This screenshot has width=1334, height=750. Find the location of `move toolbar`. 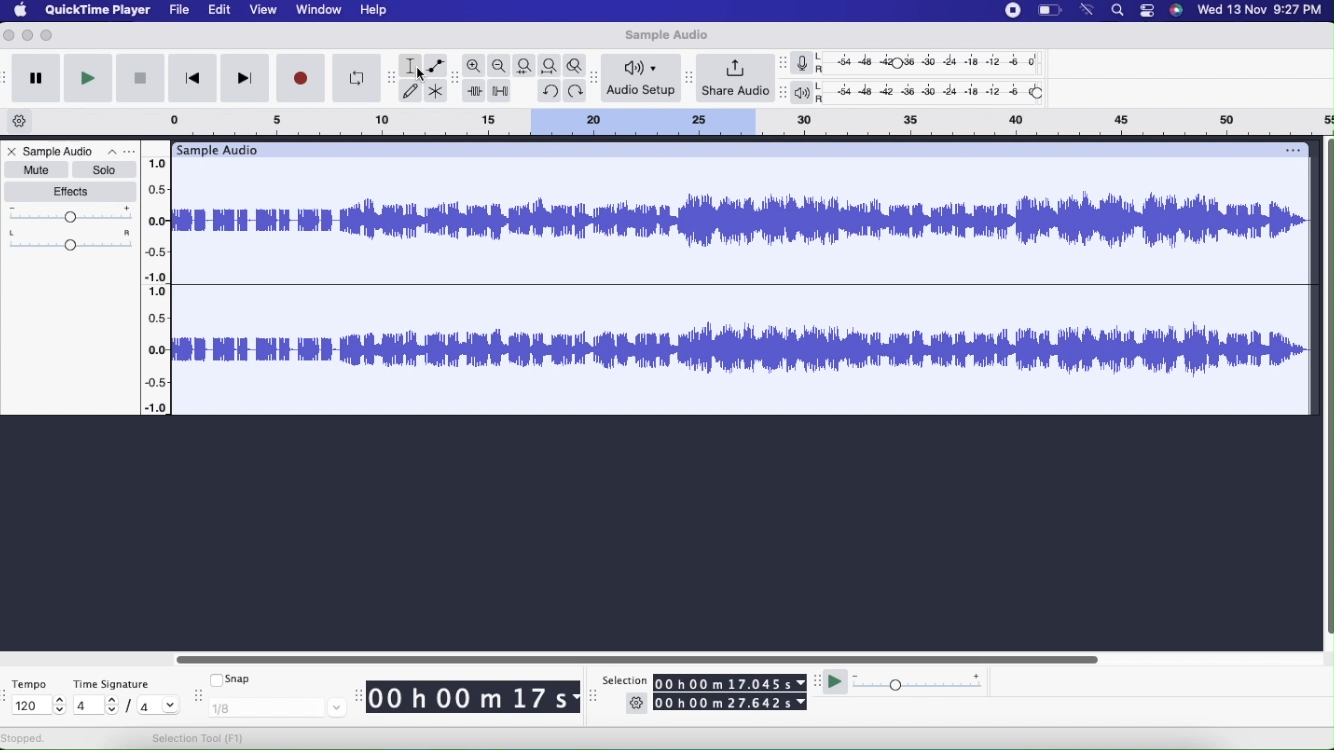

move toolbar is located at coordinates (594, 696).